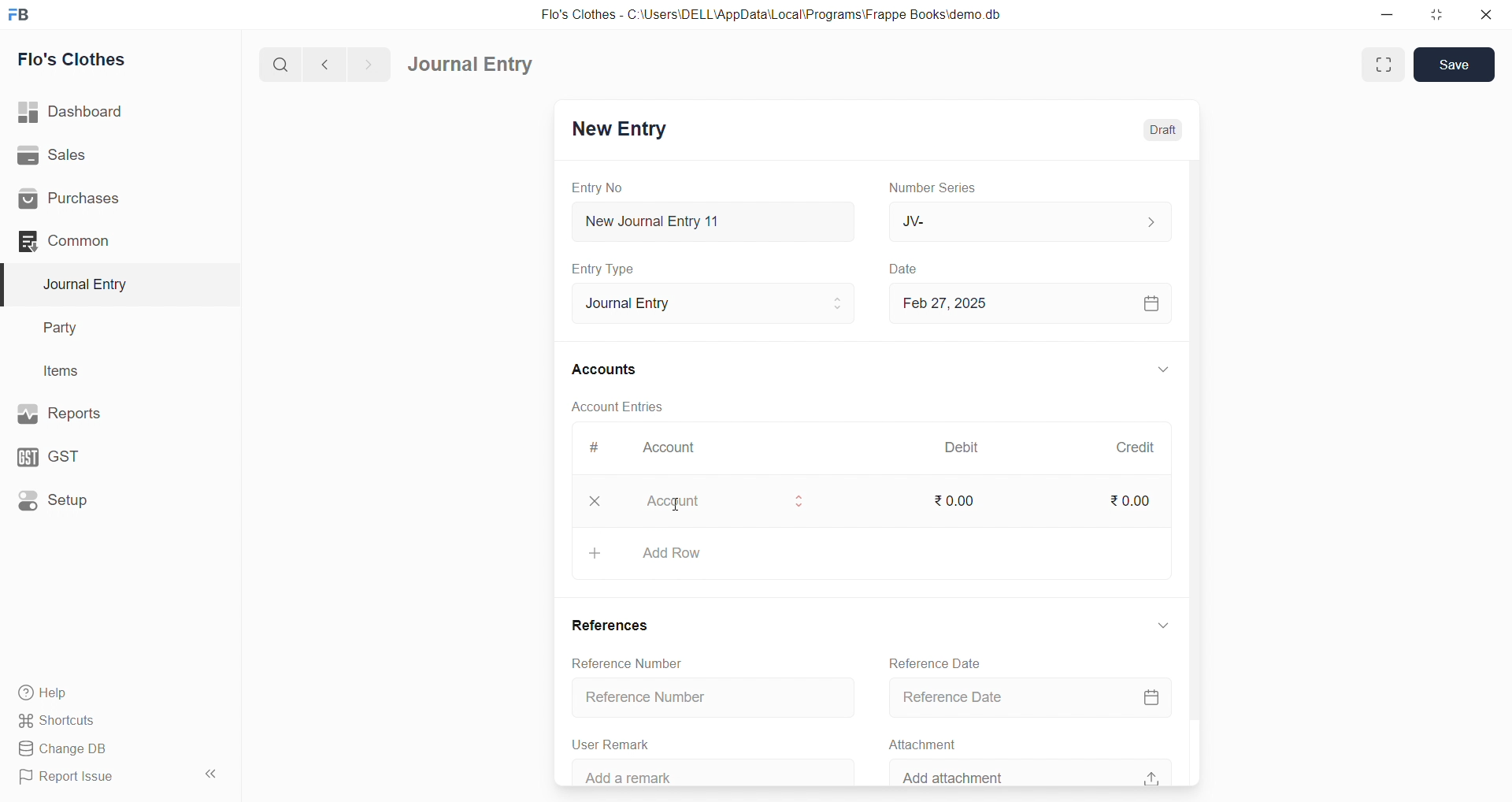 This screenshot has width=1512, height=802. I want to click on Debit, so click(965, 446).